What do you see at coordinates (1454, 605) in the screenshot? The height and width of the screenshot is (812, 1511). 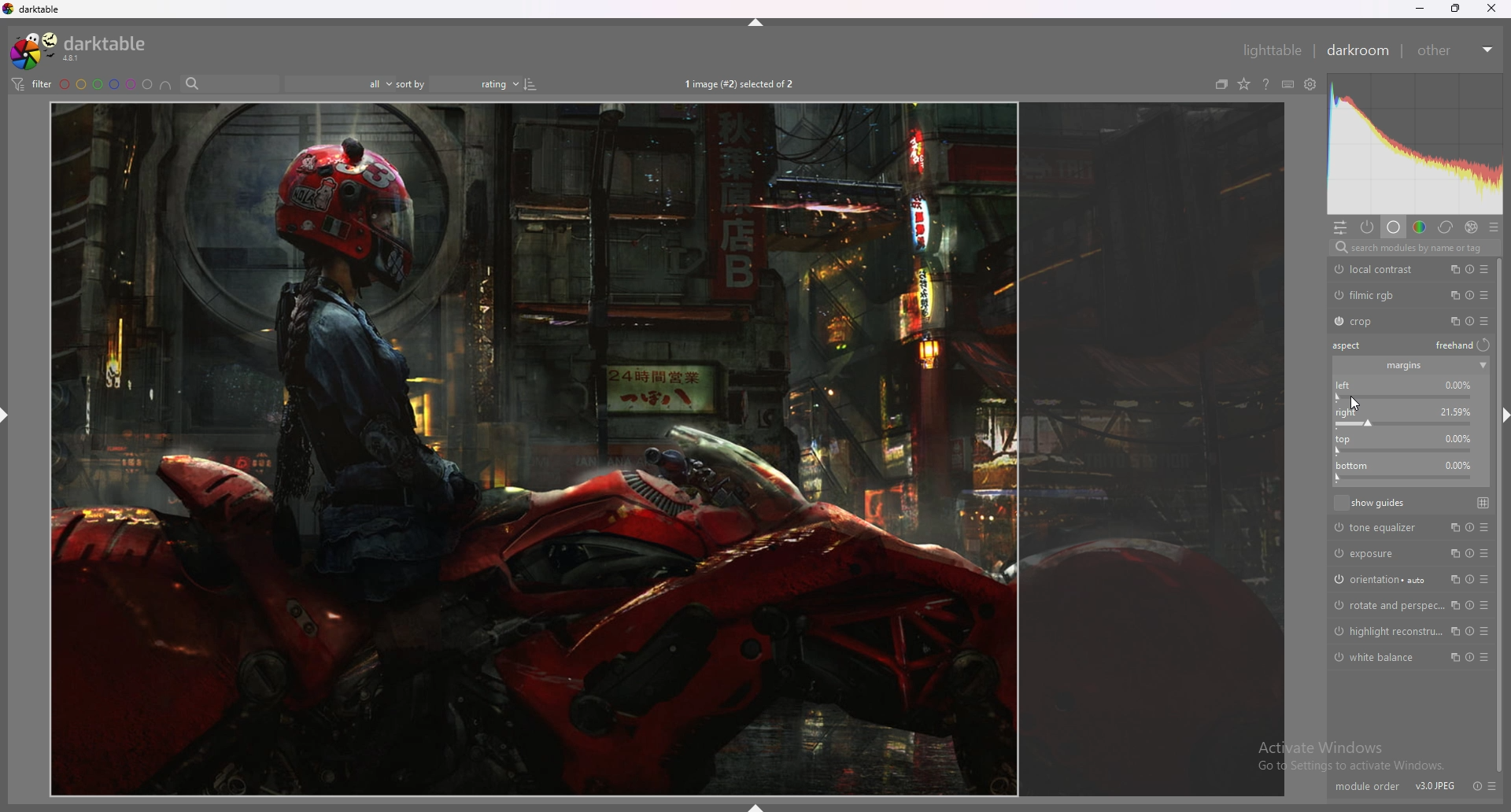 I see `multiple instances action` at bounding box center [1454, 605].